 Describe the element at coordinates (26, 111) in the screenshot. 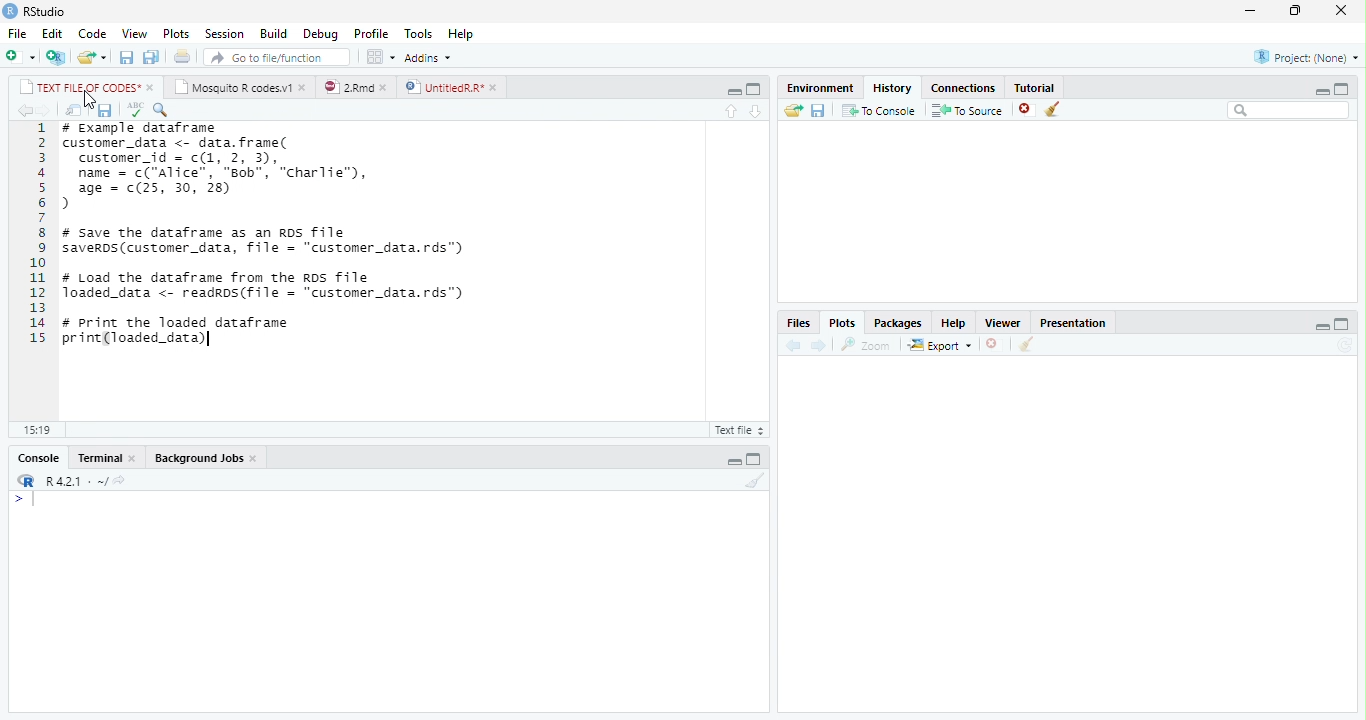

I see `back` at that location.